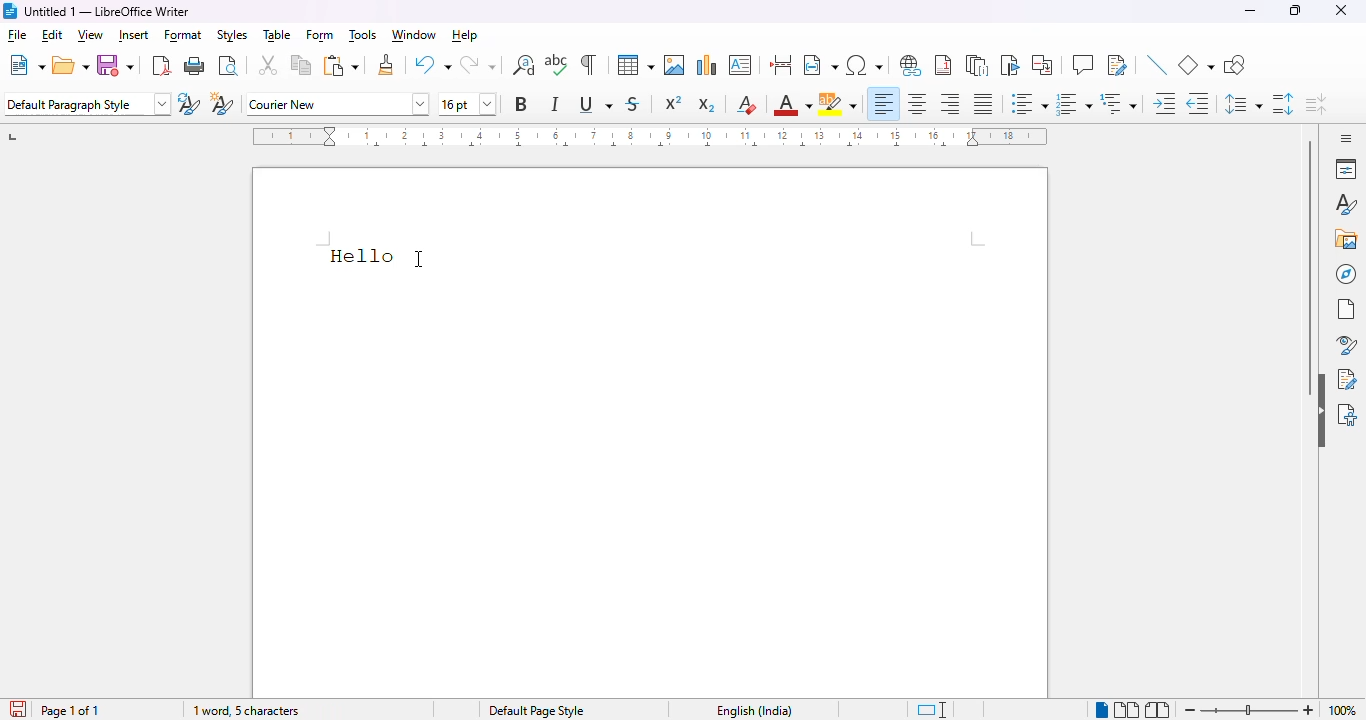 Image resolution: width=1366 pixels, height=720 pixels. I want to click on copy, so click(300, 64).